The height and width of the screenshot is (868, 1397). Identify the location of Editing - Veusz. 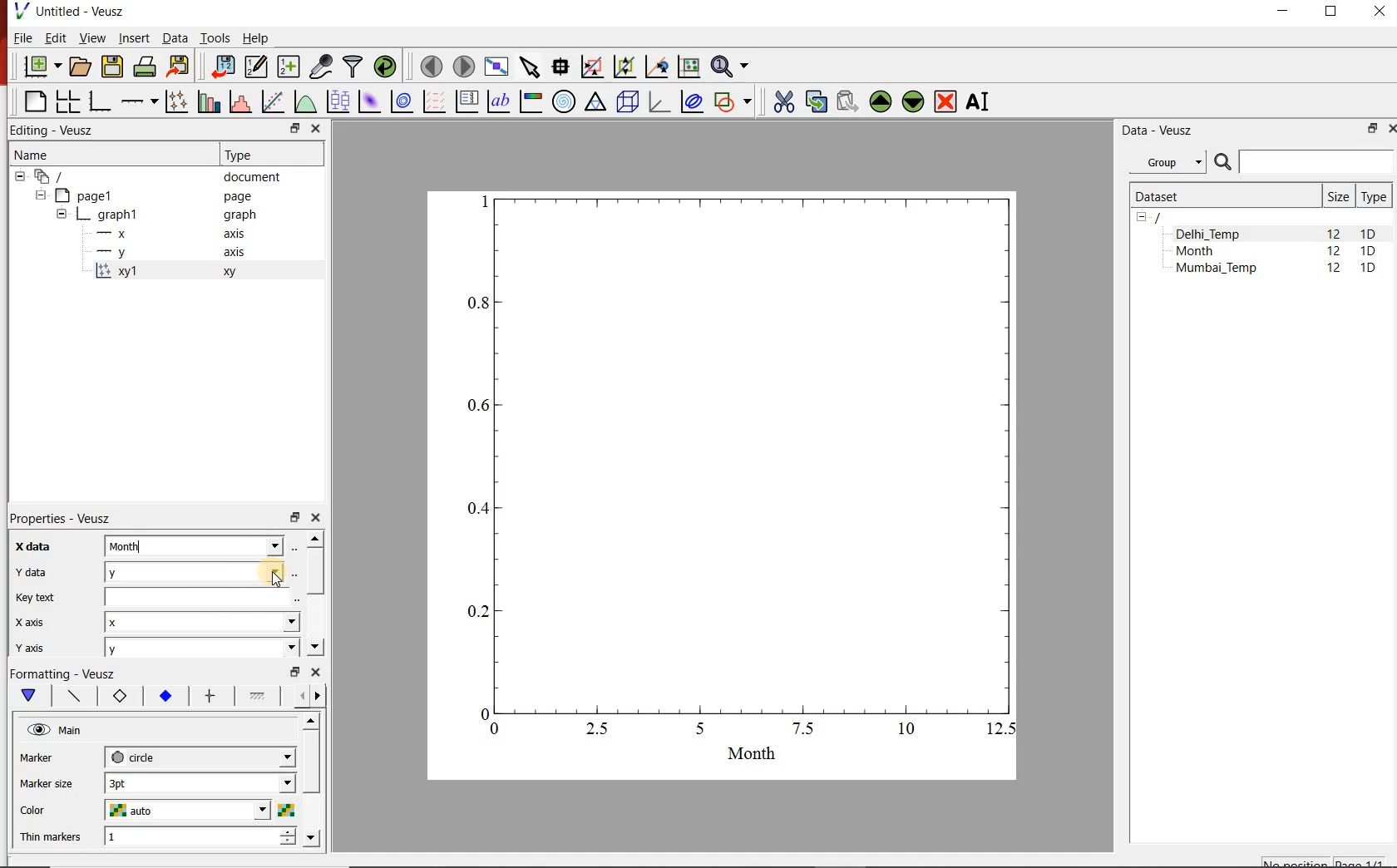
(62, 129).